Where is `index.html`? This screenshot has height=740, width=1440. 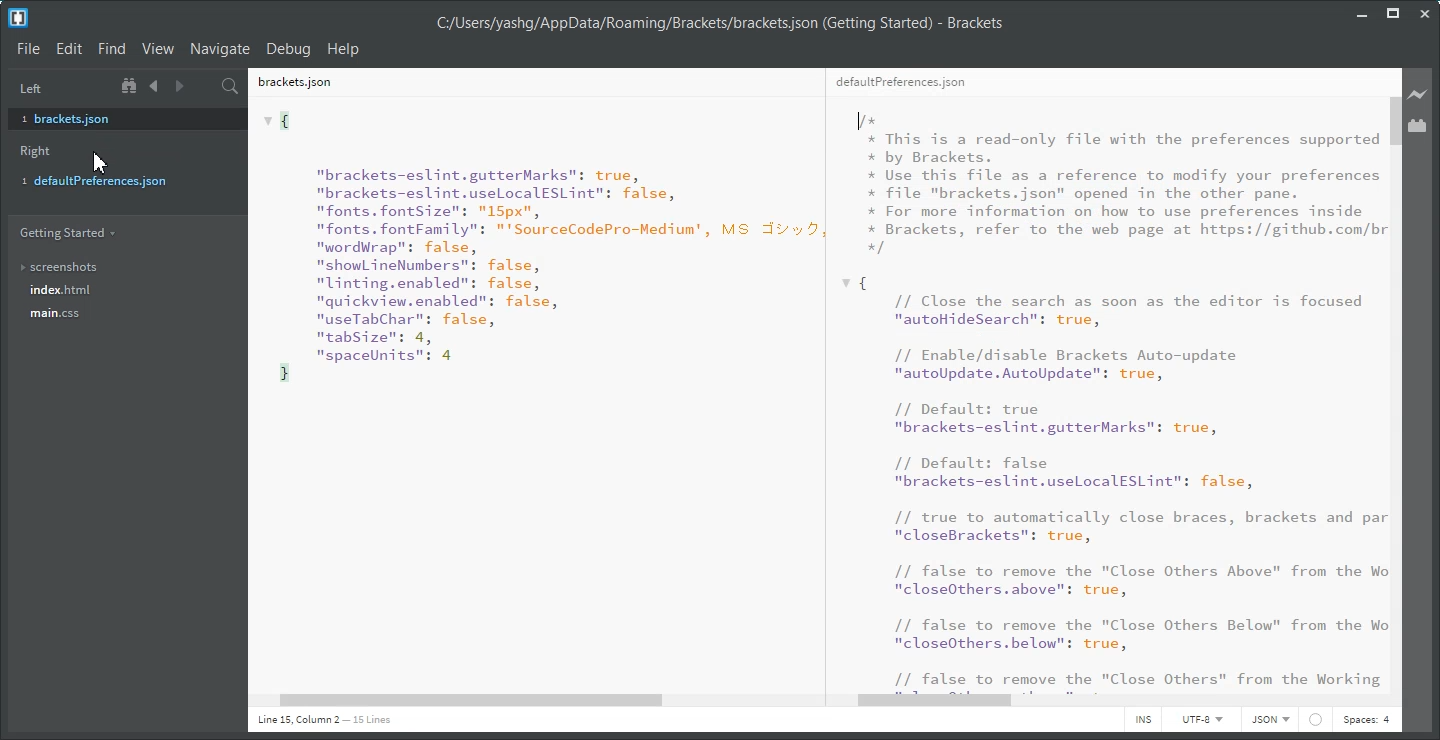
index.html is located at coordinates (124, 291).